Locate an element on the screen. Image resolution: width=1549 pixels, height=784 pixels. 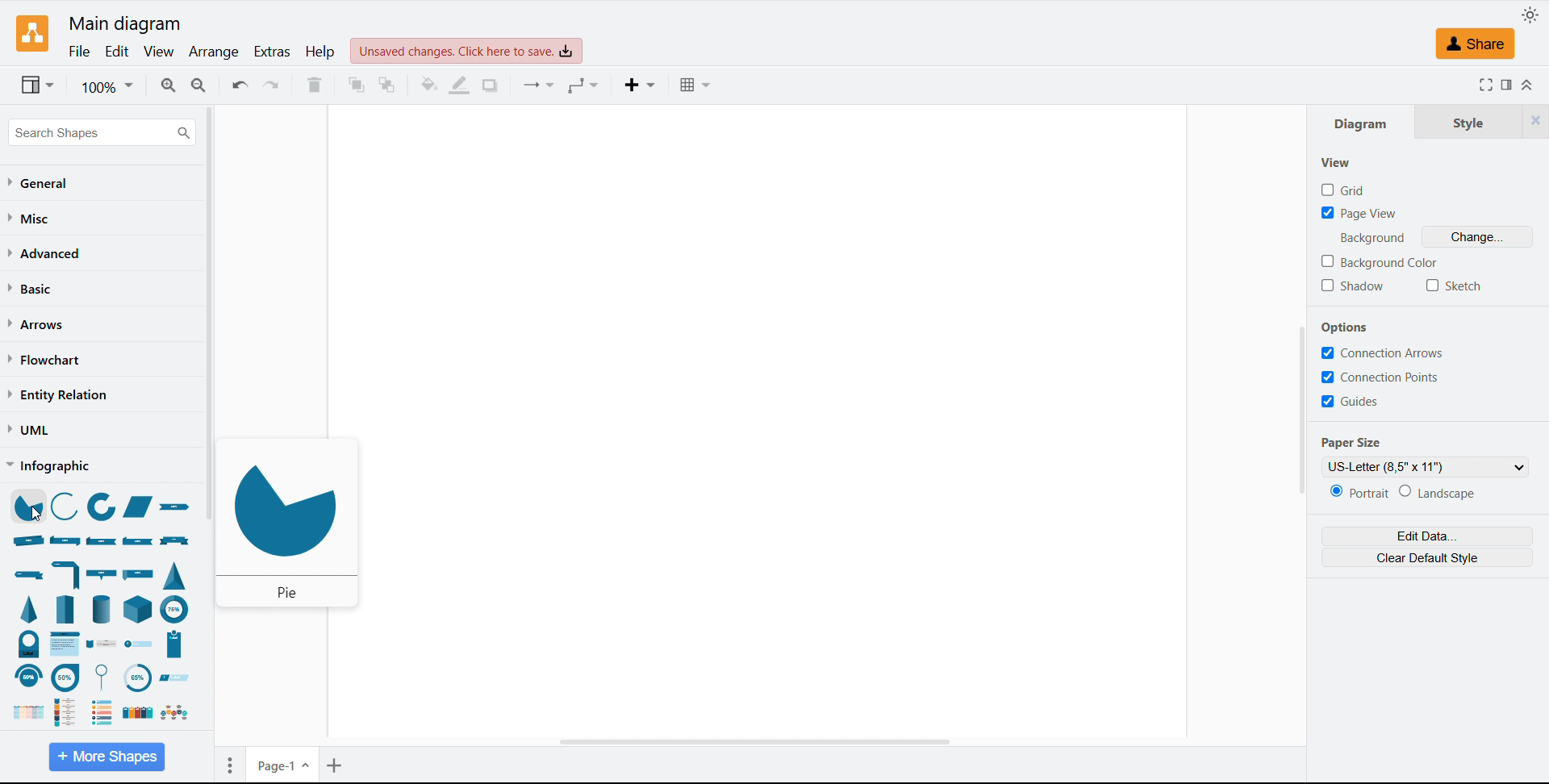
bending arch is located at coordinates (28, 678).